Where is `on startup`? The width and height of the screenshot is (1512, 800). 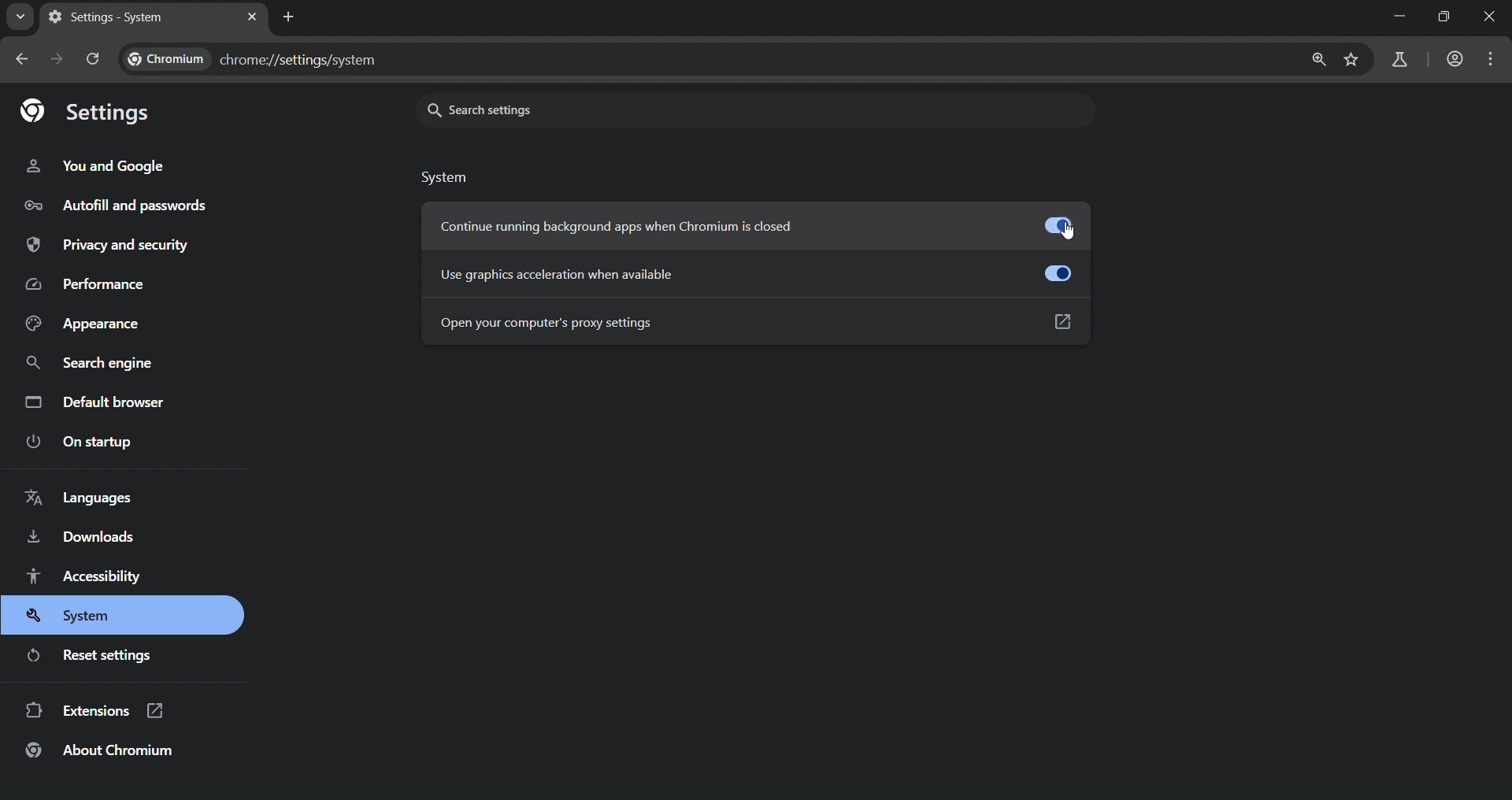 on startup is located at coordinates (86, 444).